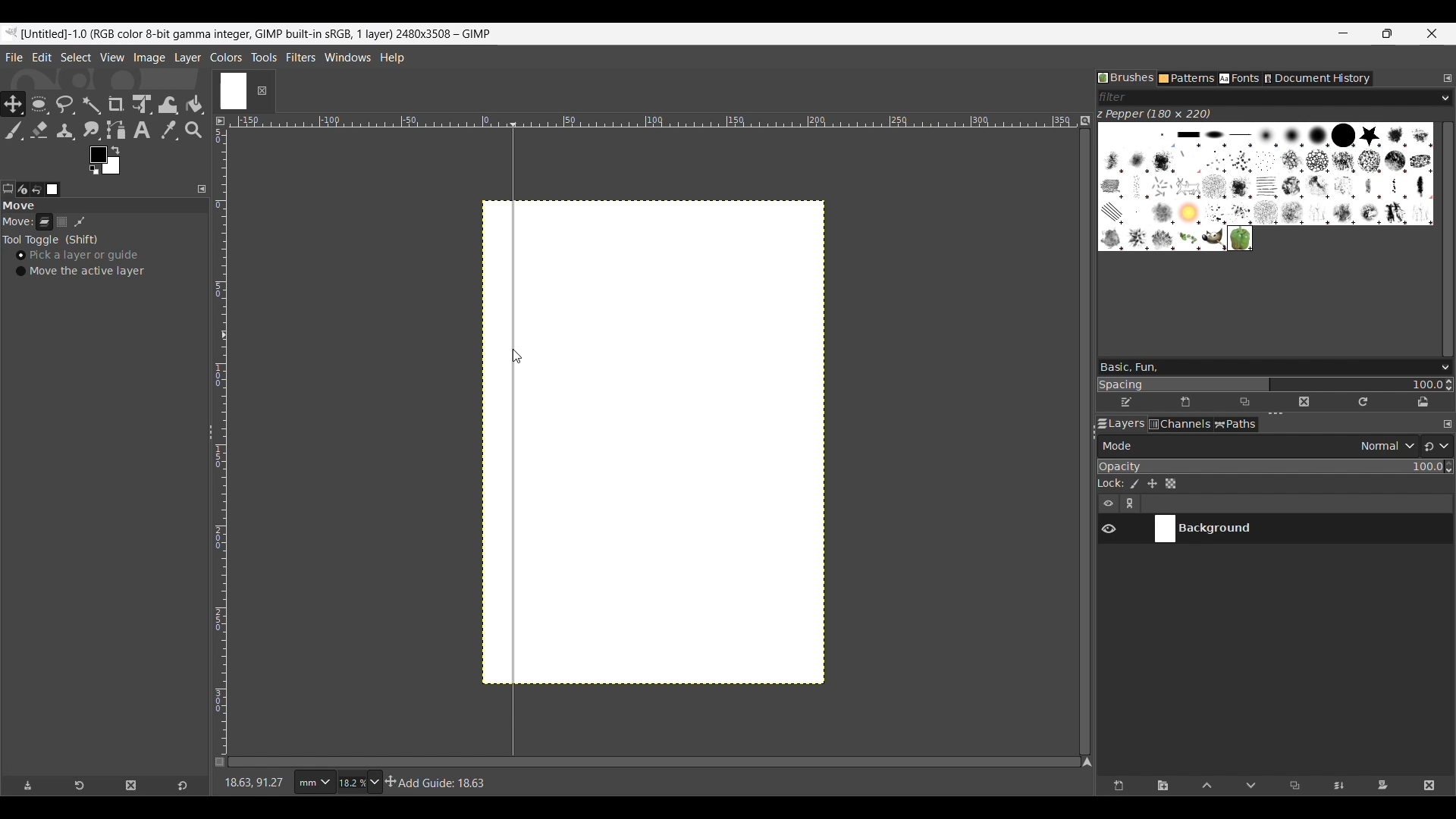  Describe the element at coordinates (1152, 484) in the screenshot. I see `Lock position and size` at that location.